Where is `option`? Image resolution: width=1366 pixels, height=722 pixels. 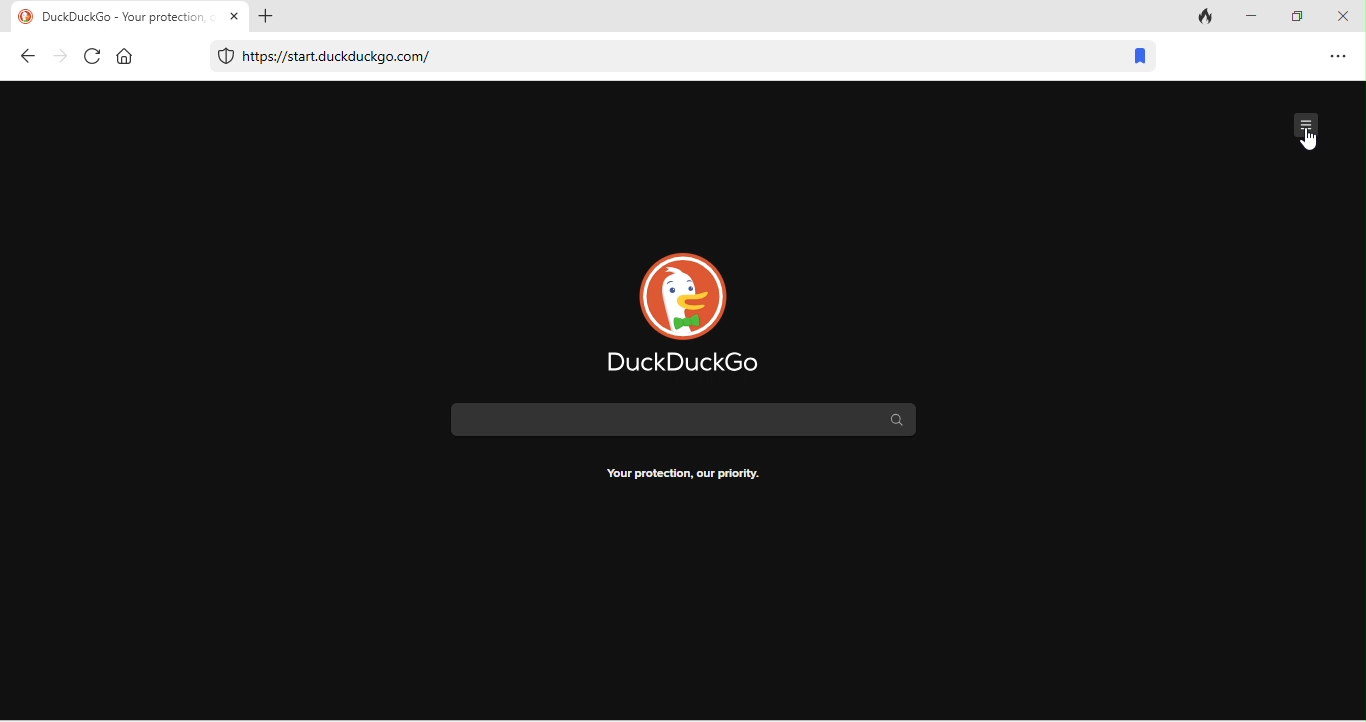
option is located at coordinates (1336, 55).